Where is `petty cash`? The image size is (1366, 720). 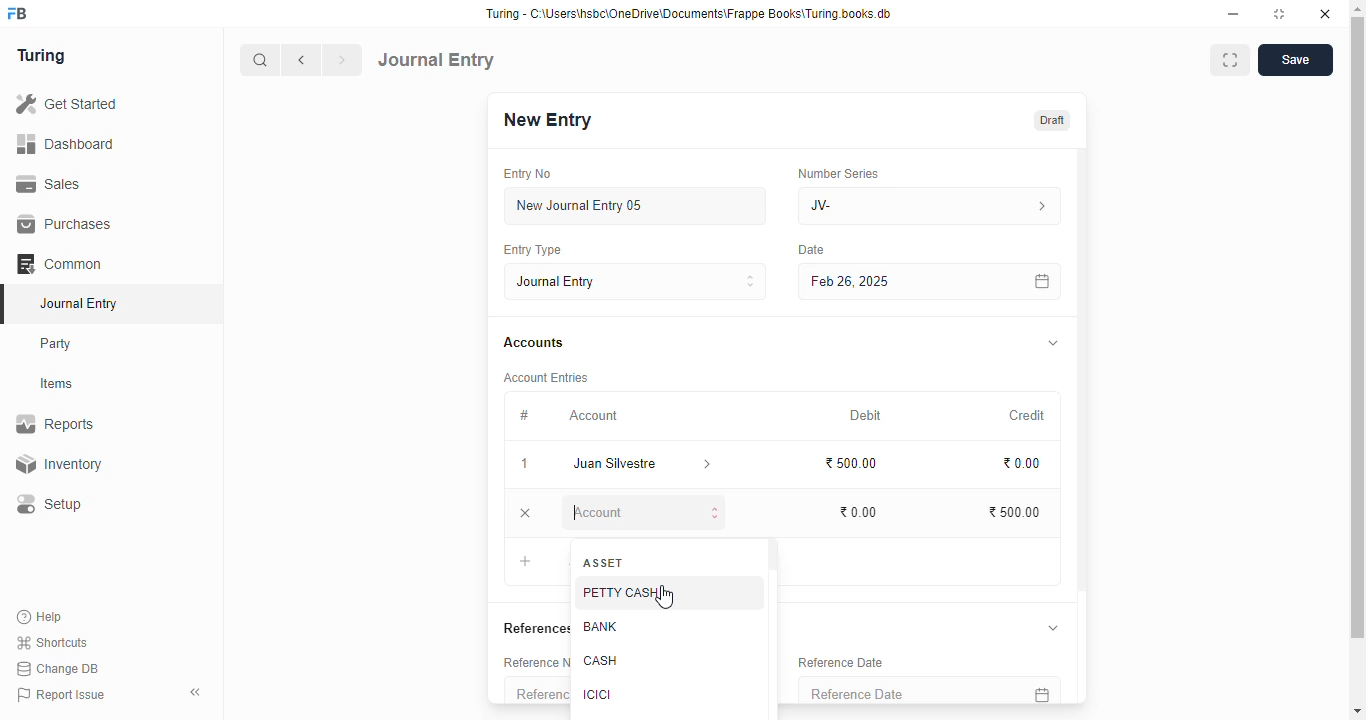 petty cash is located at coordinates (623, 592).